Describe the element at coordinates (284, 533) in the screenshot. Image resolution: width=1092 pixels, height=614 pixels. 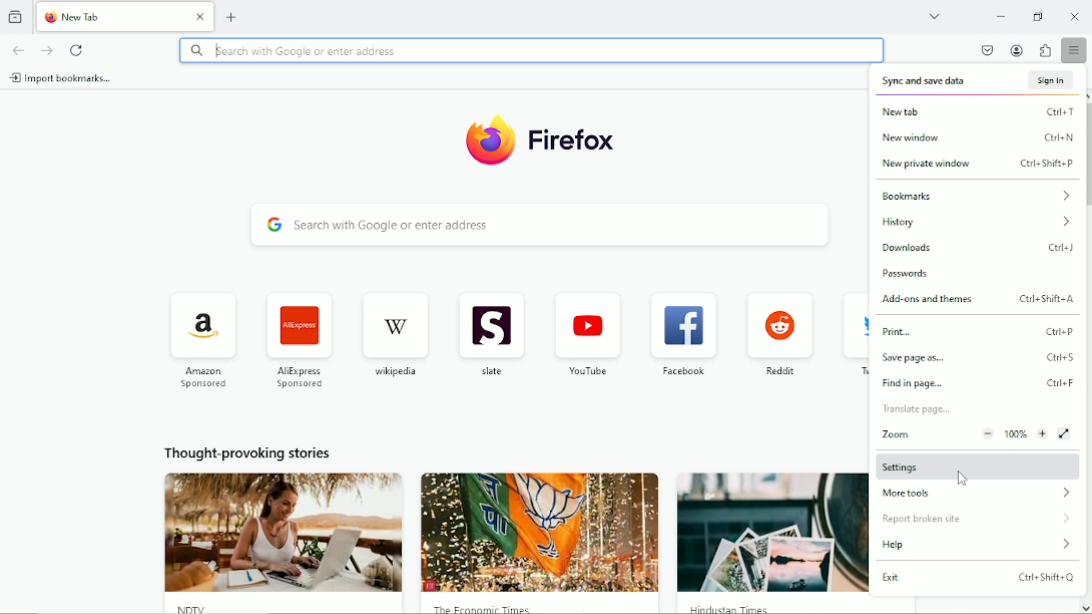
I see `image` at that location.